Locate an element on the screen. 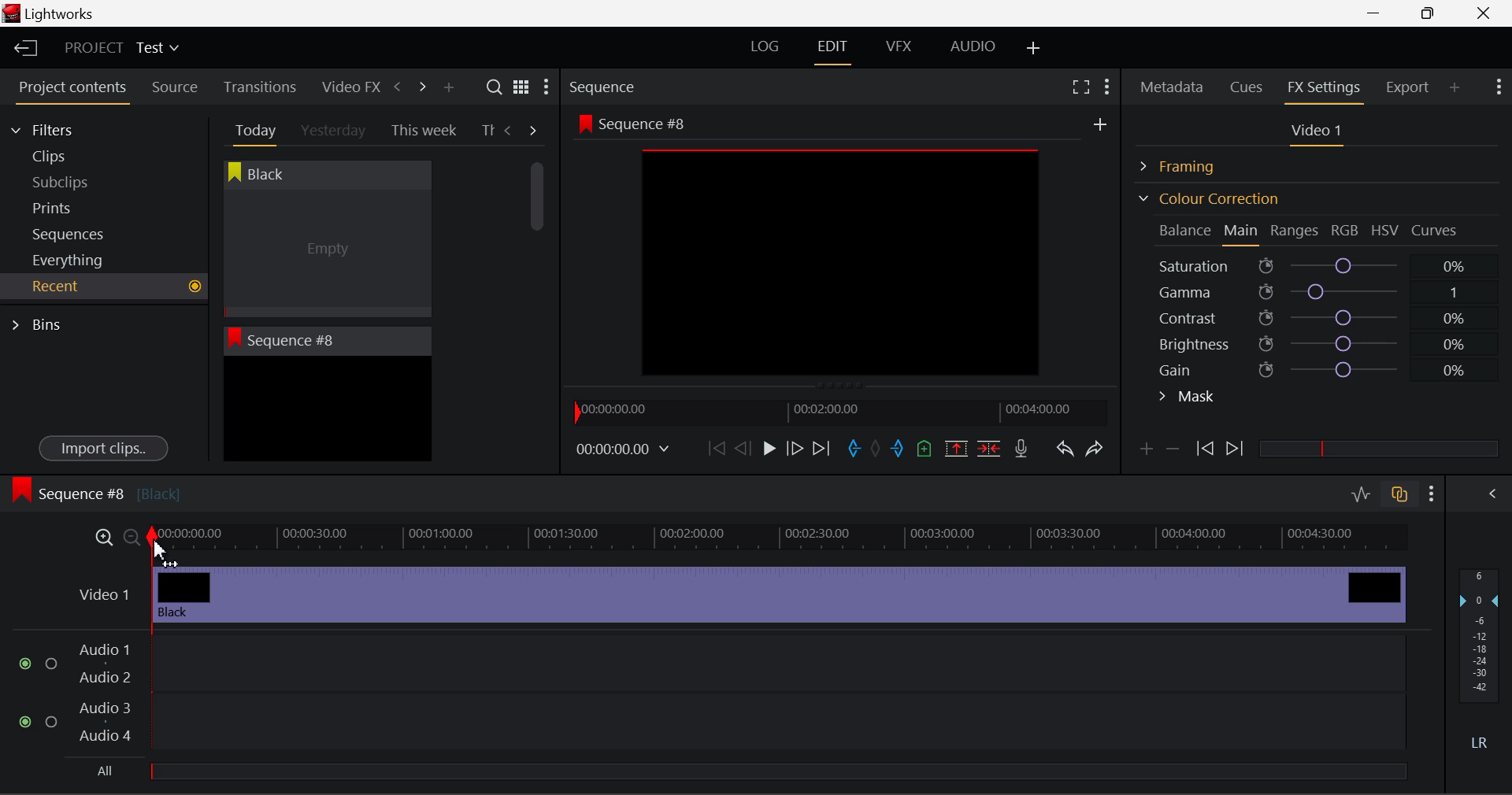  Colour Correction is located at coordinates (1208, 198).